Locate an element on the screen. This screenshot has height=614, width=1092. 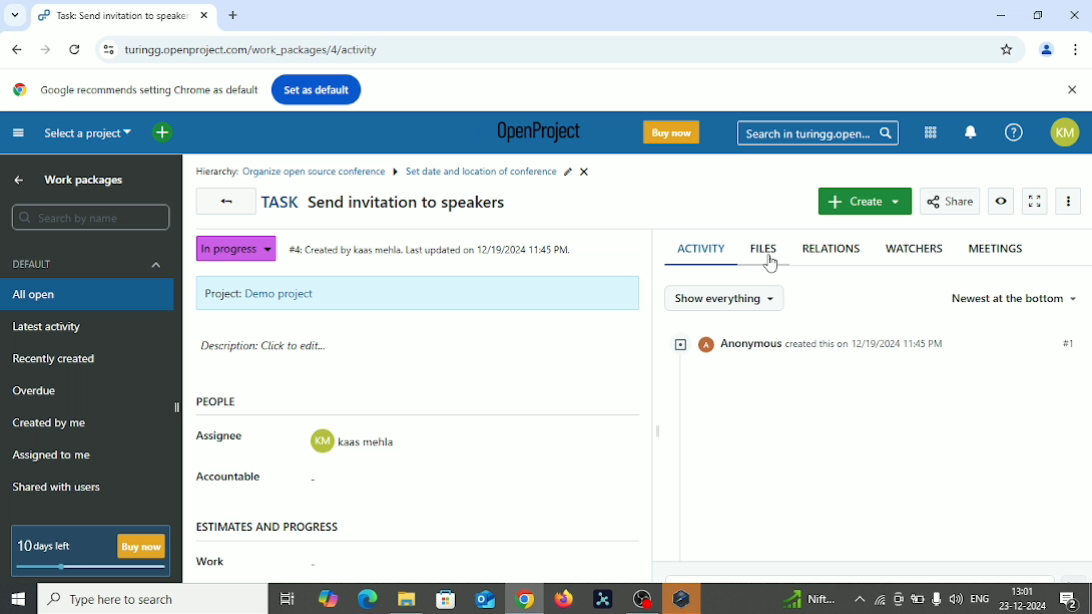
Meetings is located at coordinates (996, 248).